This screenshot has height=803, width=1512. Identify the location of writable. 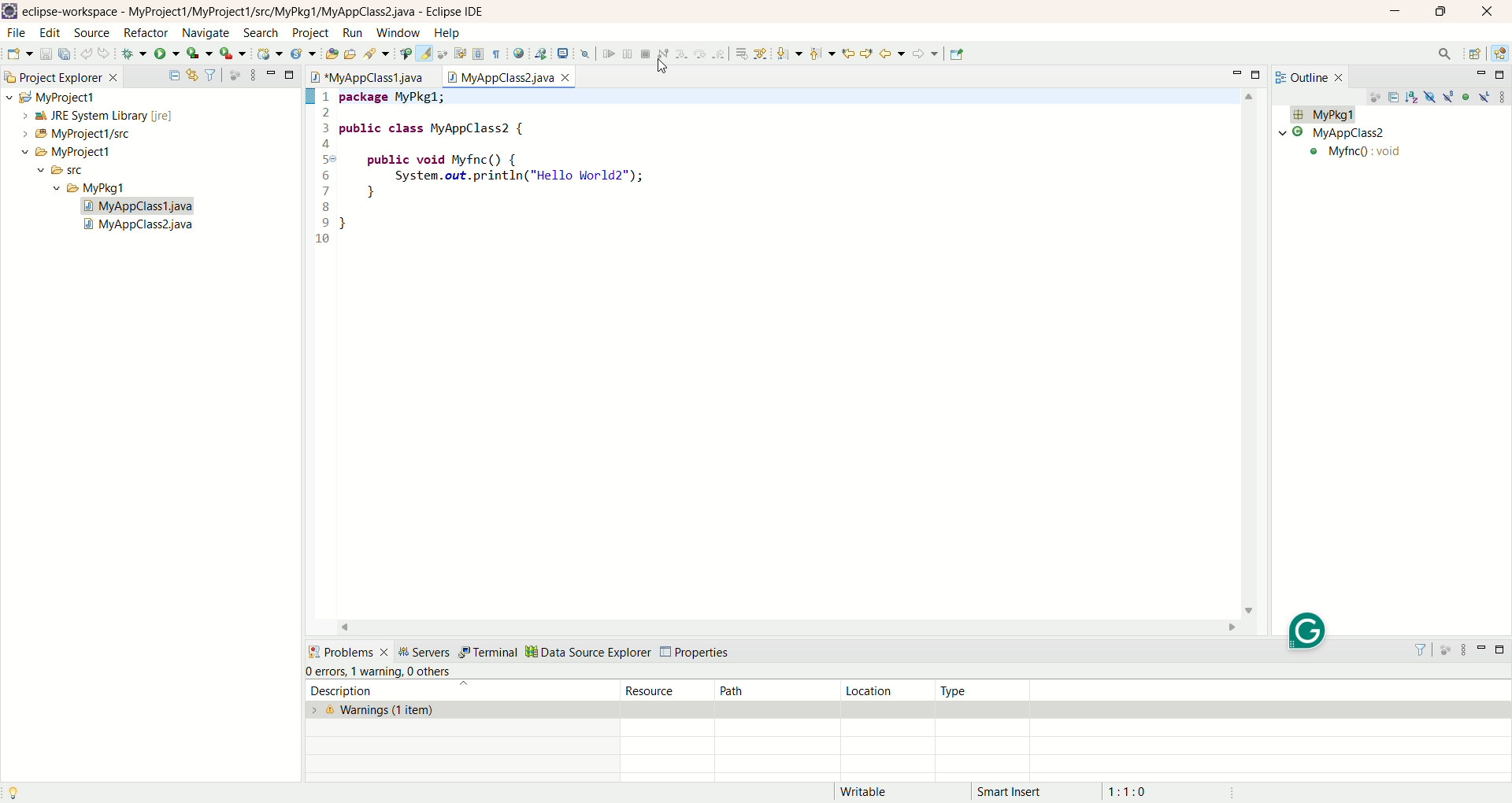
(873, 792).